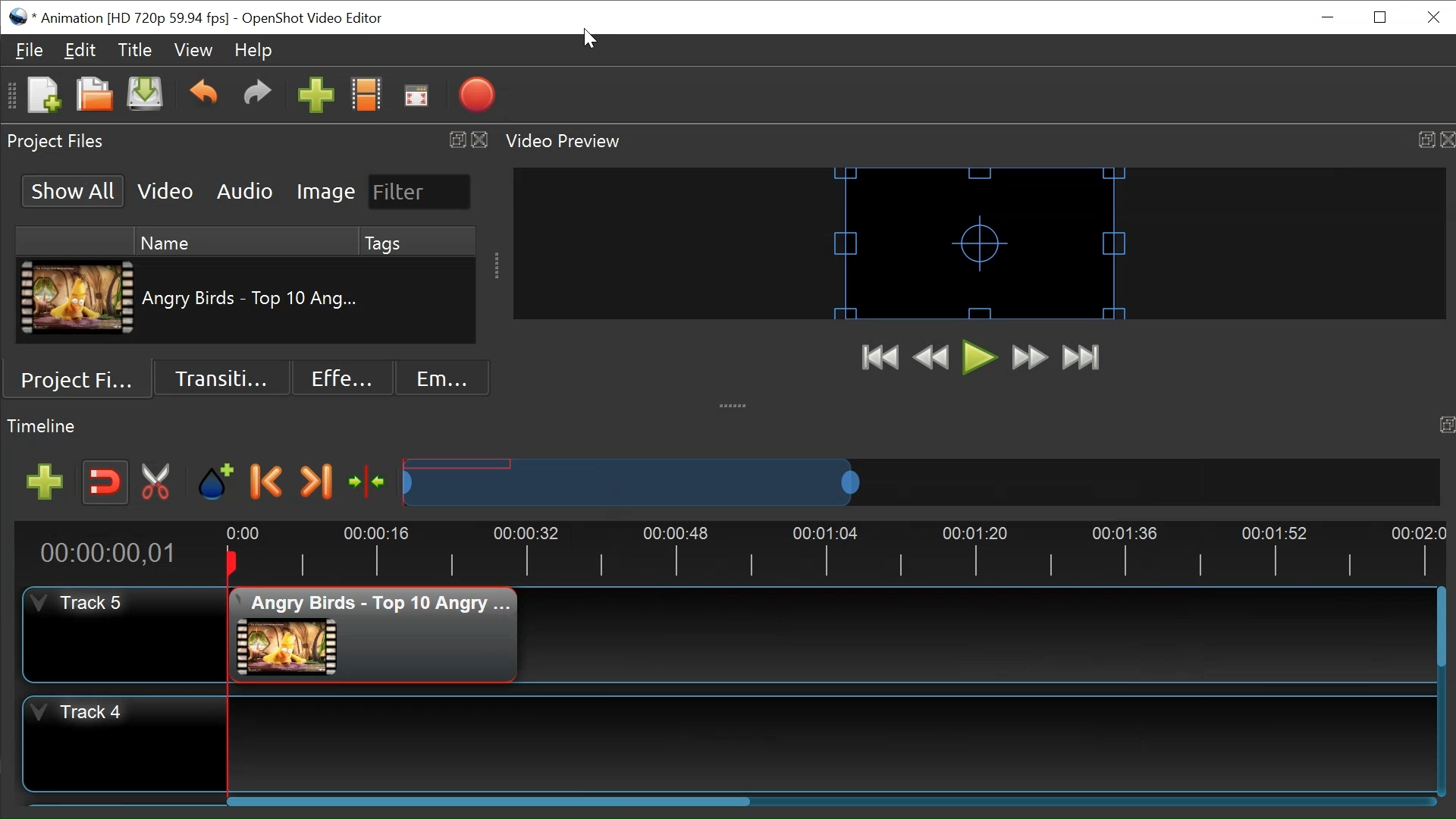 This screenshot has height=819, width=1456. Describe the element at coordinates (90, 96) in the screenshot. I see `Open Project` at that location.